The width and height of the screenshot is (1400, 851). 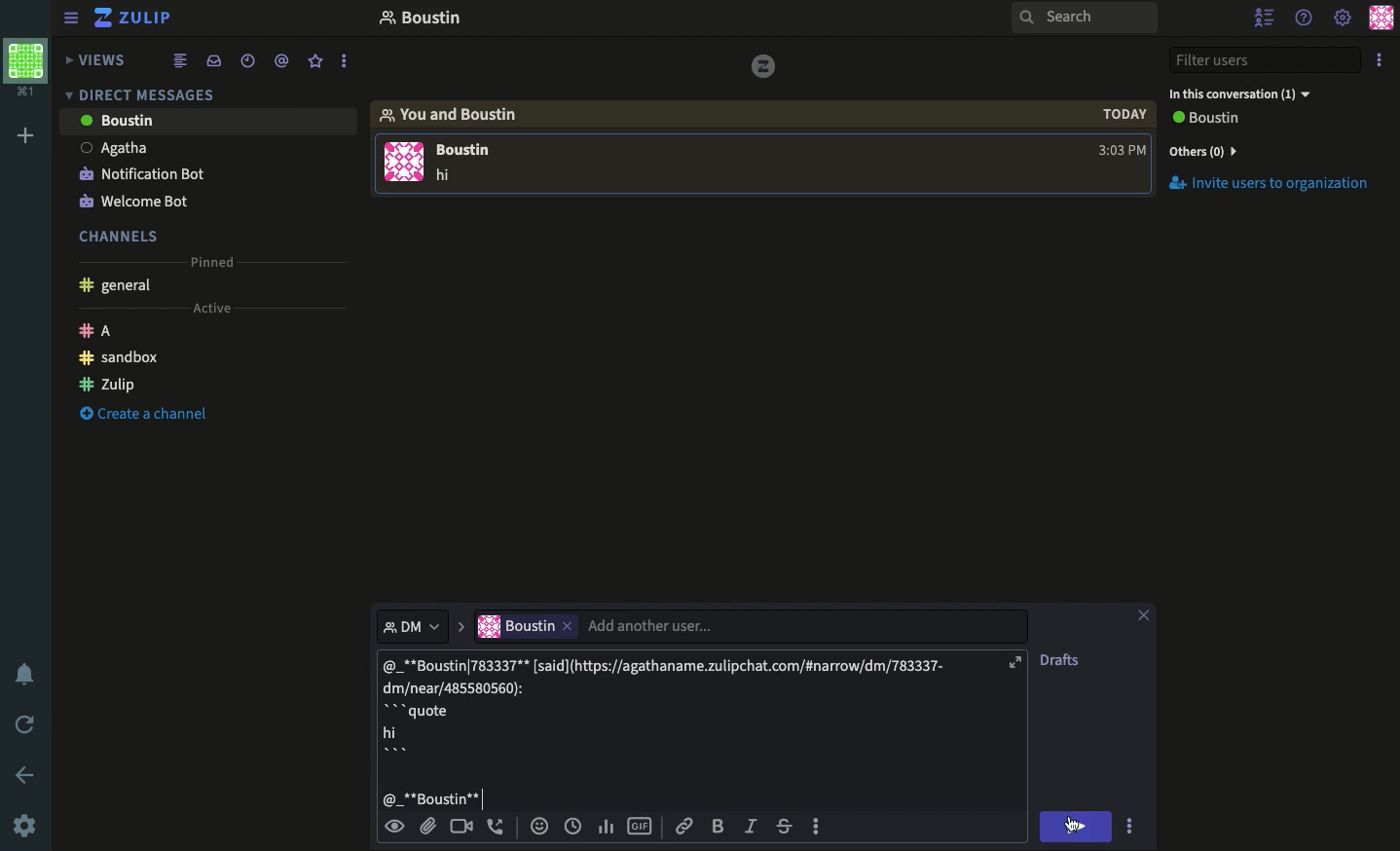 I want to click on User, so click(x=205, y=145).